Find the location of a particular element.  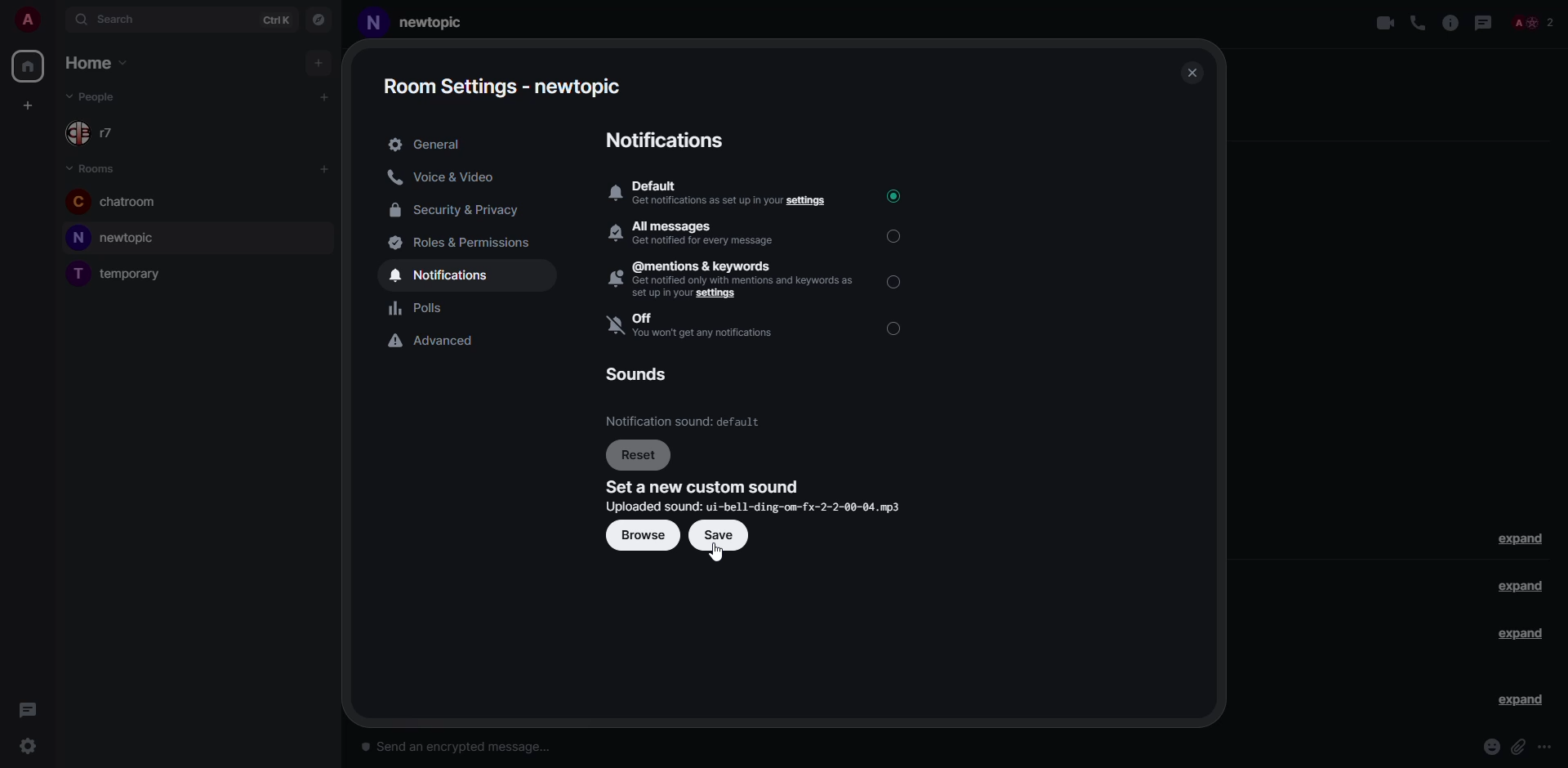

add is located at coordinates (28, 104).